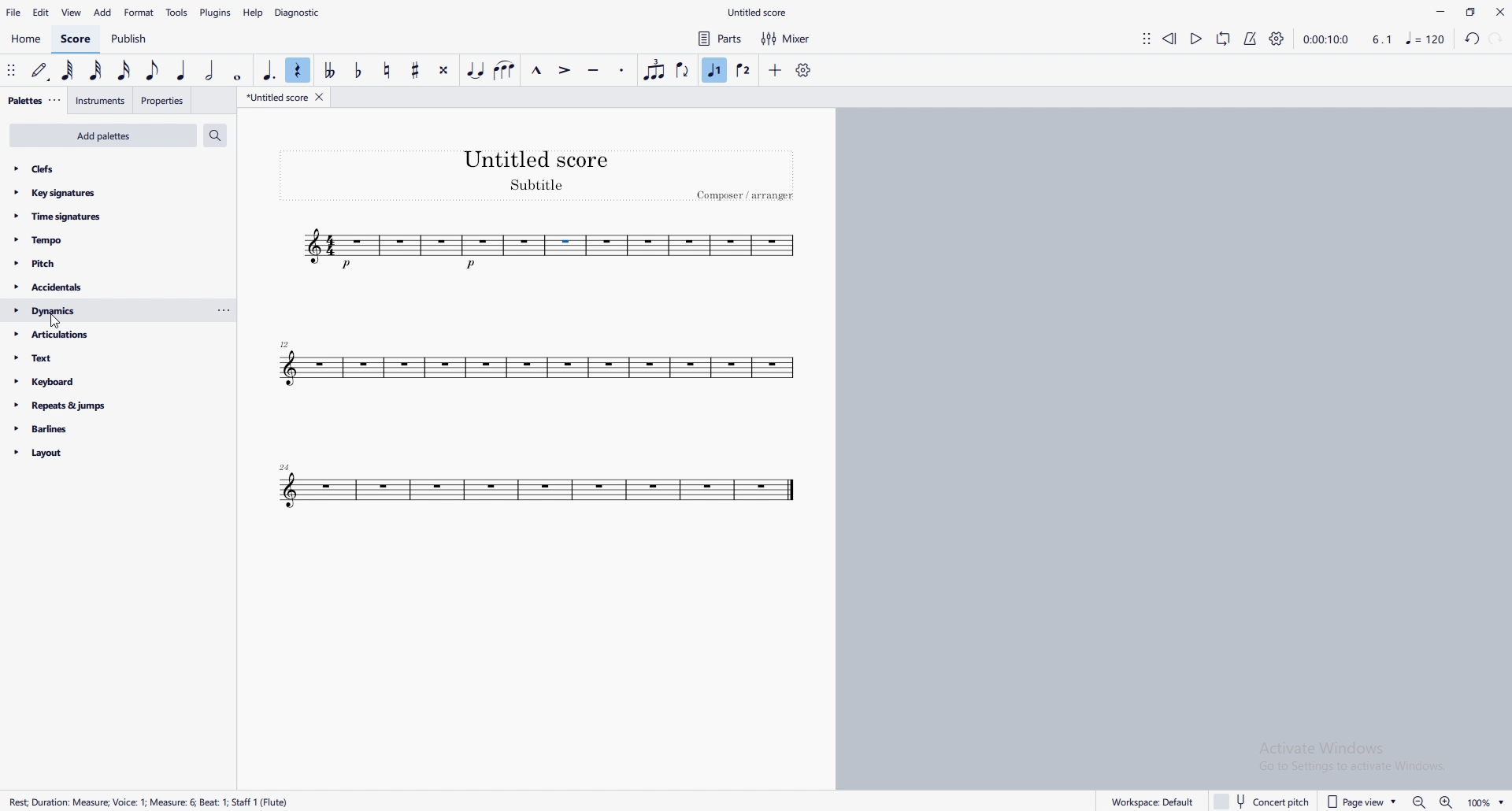  I want to click on zoom out, so click(1419, 803).